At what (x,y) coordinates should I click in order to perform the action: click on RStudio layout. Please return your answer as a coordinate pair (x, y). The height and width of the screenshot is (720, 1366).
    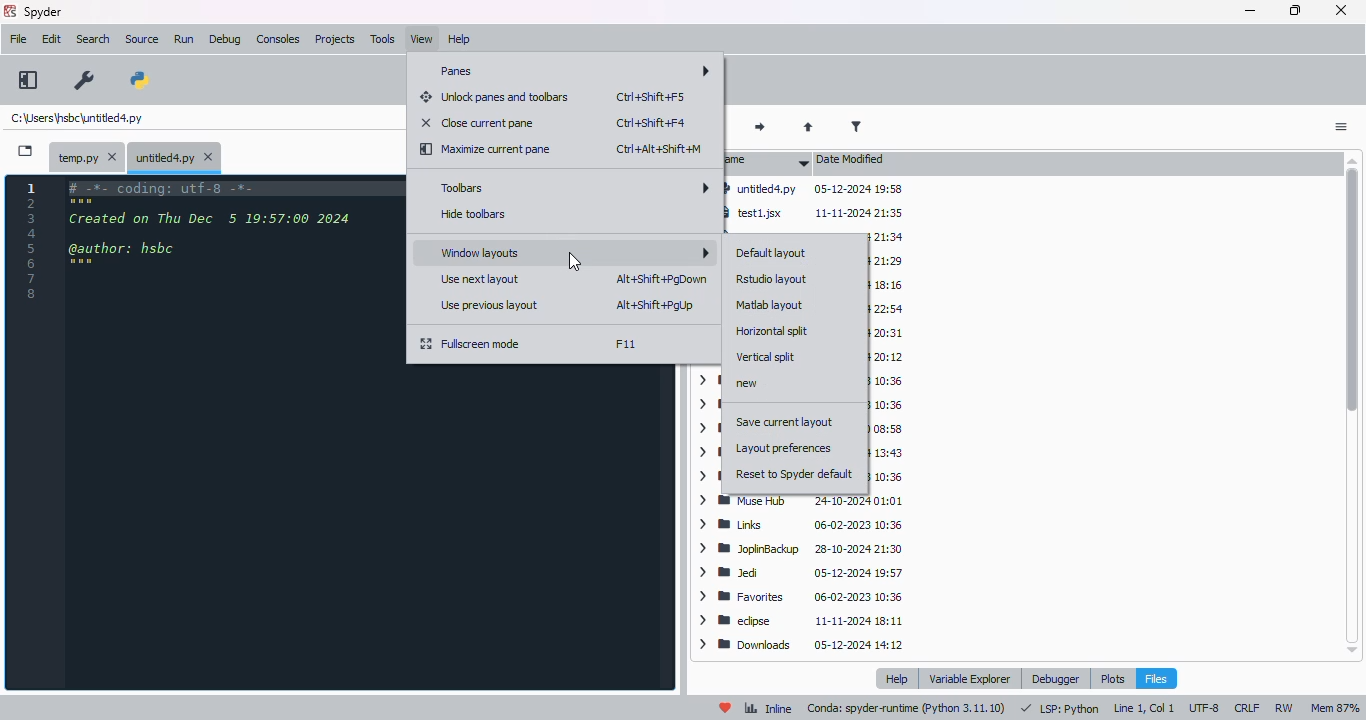
    Looking at the image, I should click on (772, 279).